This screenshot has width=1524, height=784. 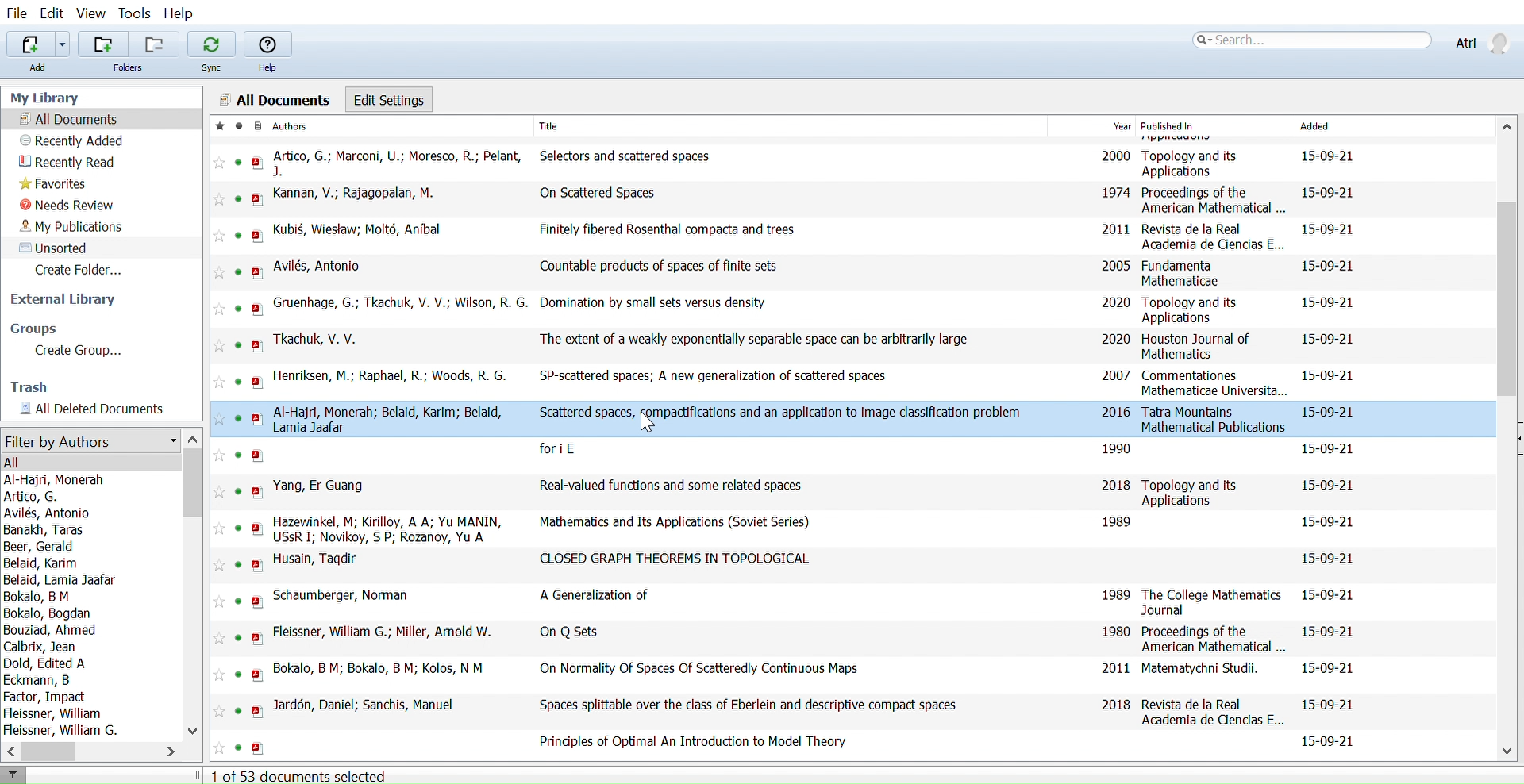 What do you see at coordinates (215, 309) in the screenshot?
I see `Favourite` at bounding box center [215, 309].